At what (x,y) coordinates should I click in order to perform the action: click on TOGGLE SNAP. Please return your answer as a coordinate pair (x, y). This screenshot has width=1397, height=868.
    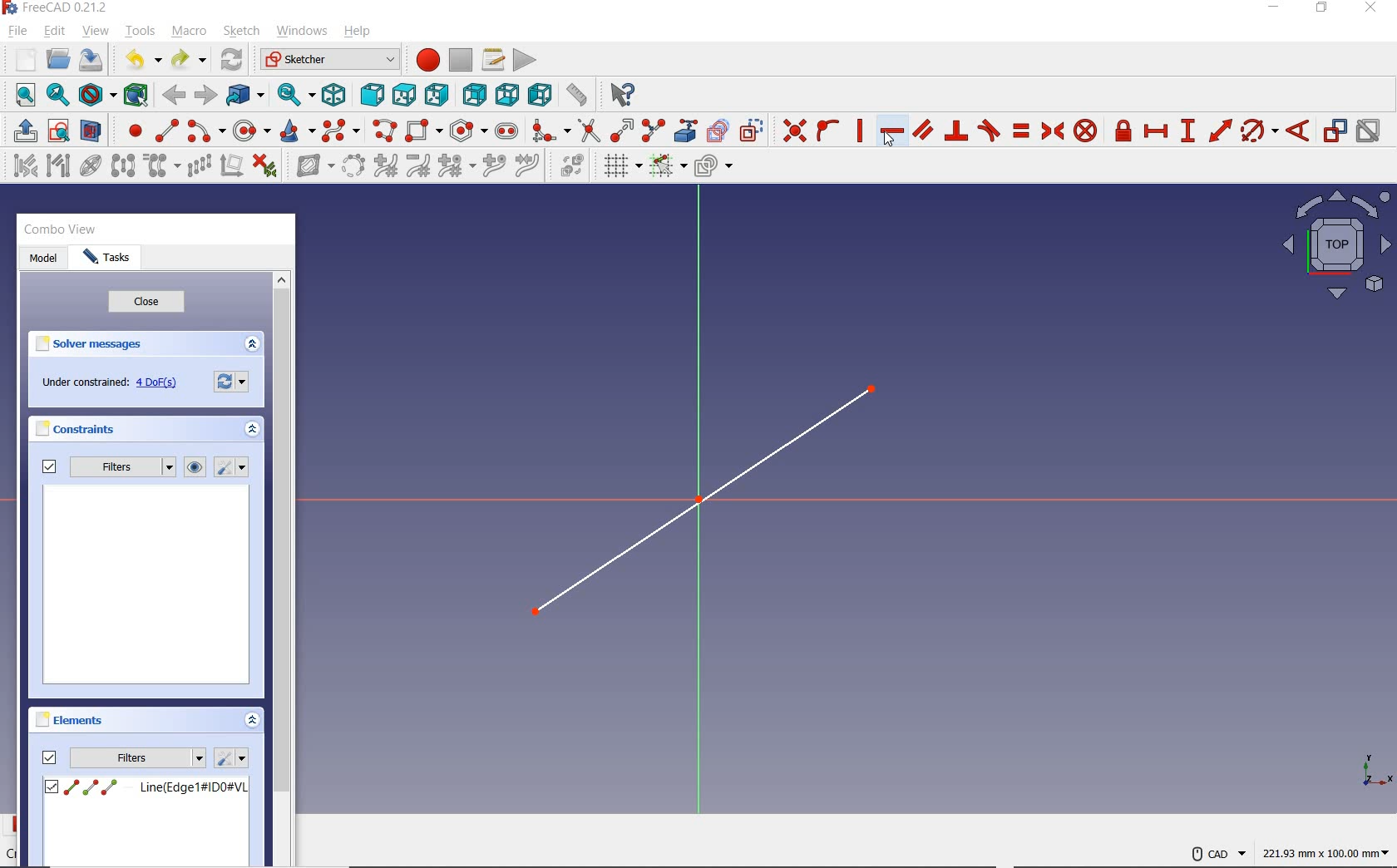
    Looking at the image, I should click on (667, 167).